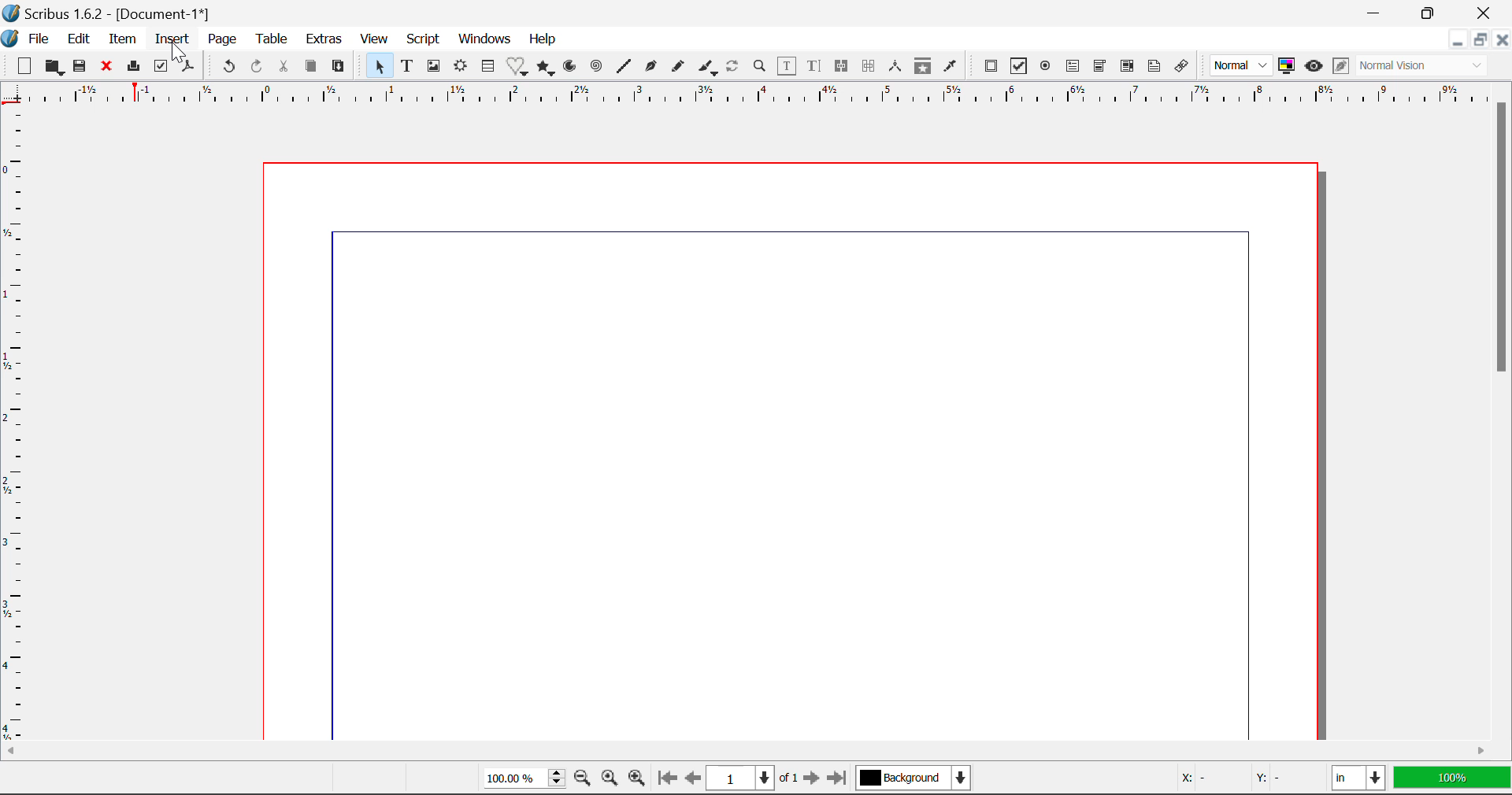 This screenshot has width=1512, height=795. Describe the element at coordinates (9, 39) in the screenshot. I see `Scribus Logo` at that location.